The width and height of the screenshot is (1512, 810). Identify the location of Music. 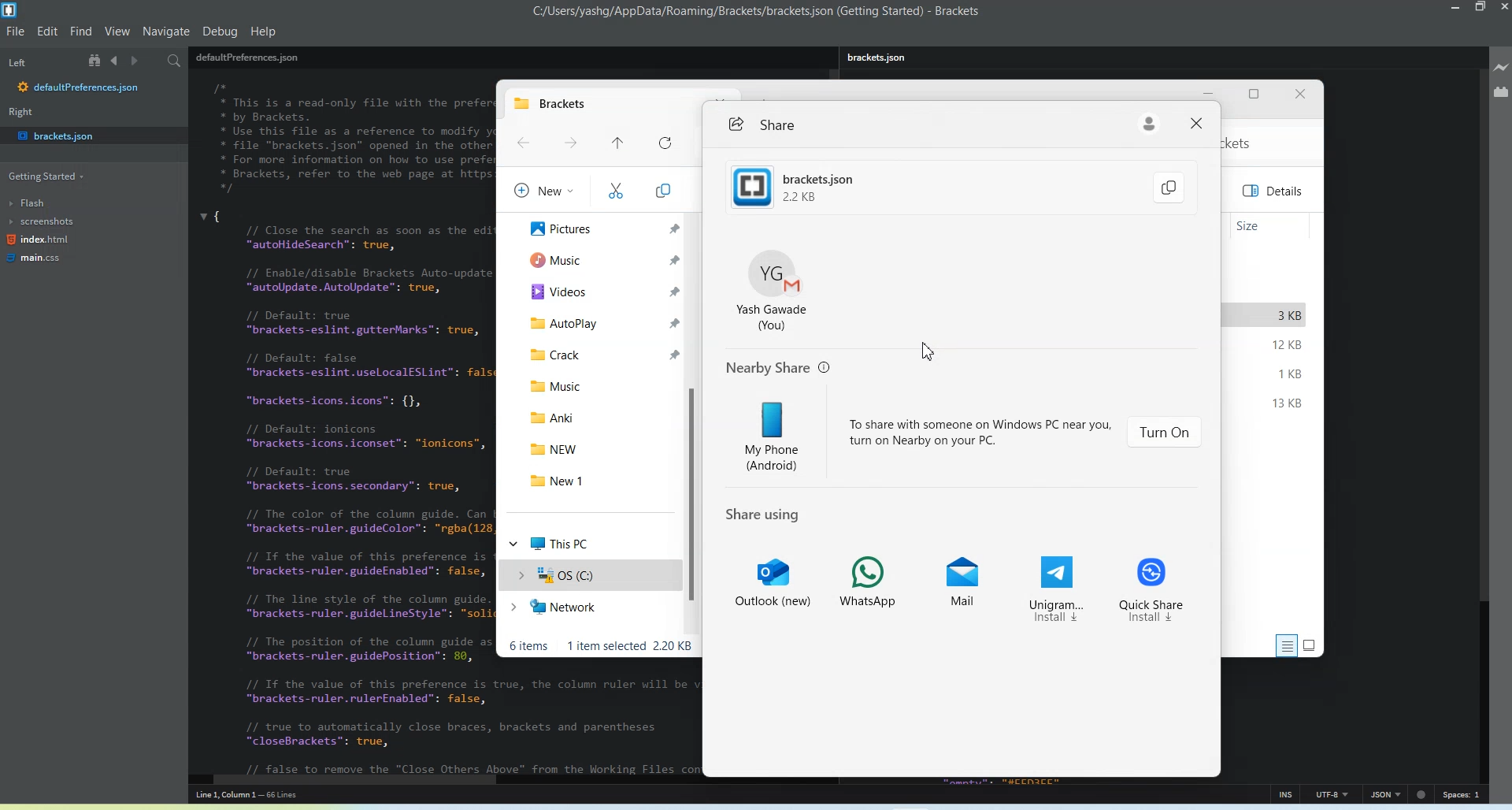
(601, 259).